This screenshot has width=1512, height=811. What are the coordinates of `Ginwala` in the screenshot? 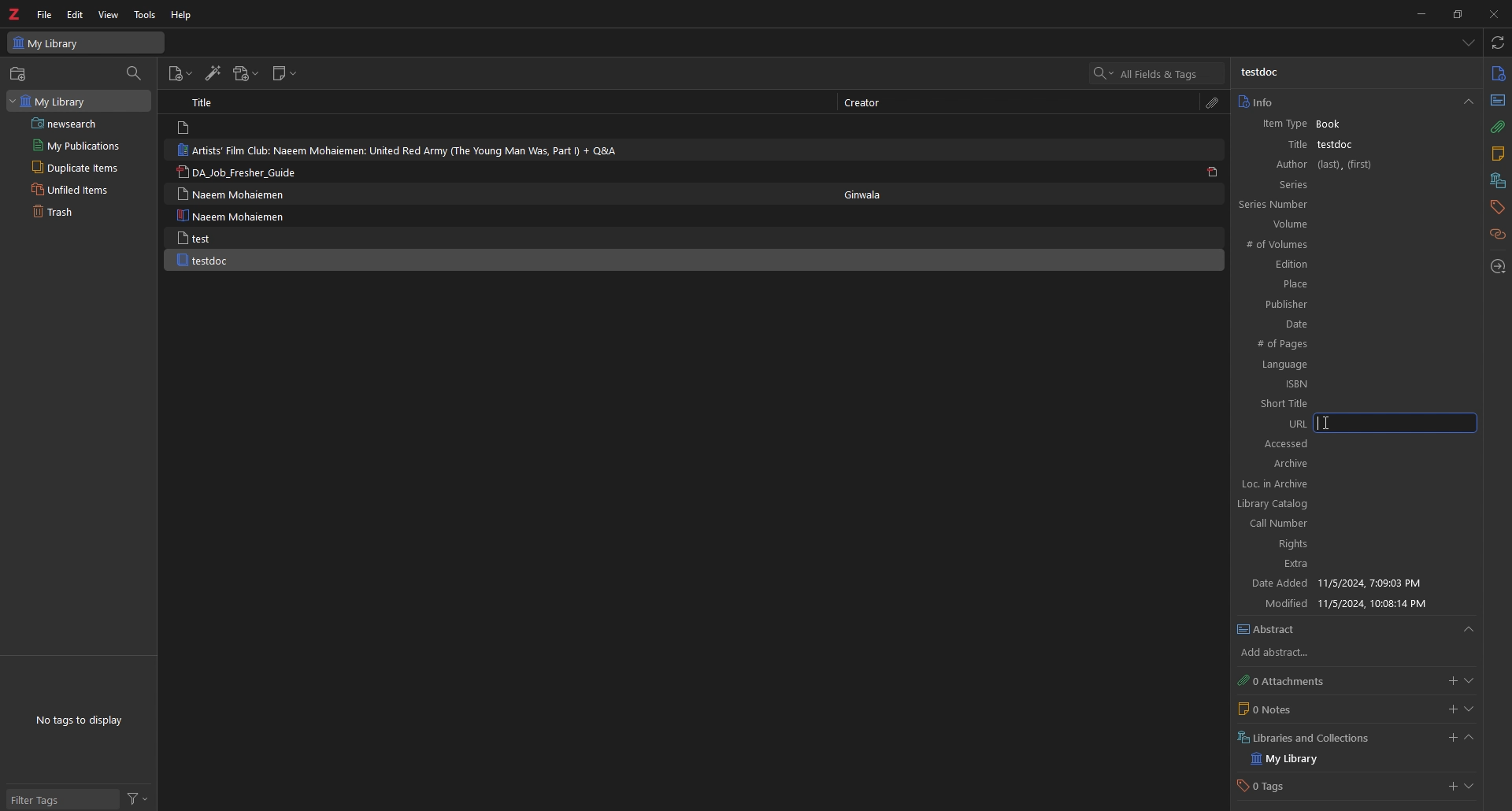 It's located at (872, 195).